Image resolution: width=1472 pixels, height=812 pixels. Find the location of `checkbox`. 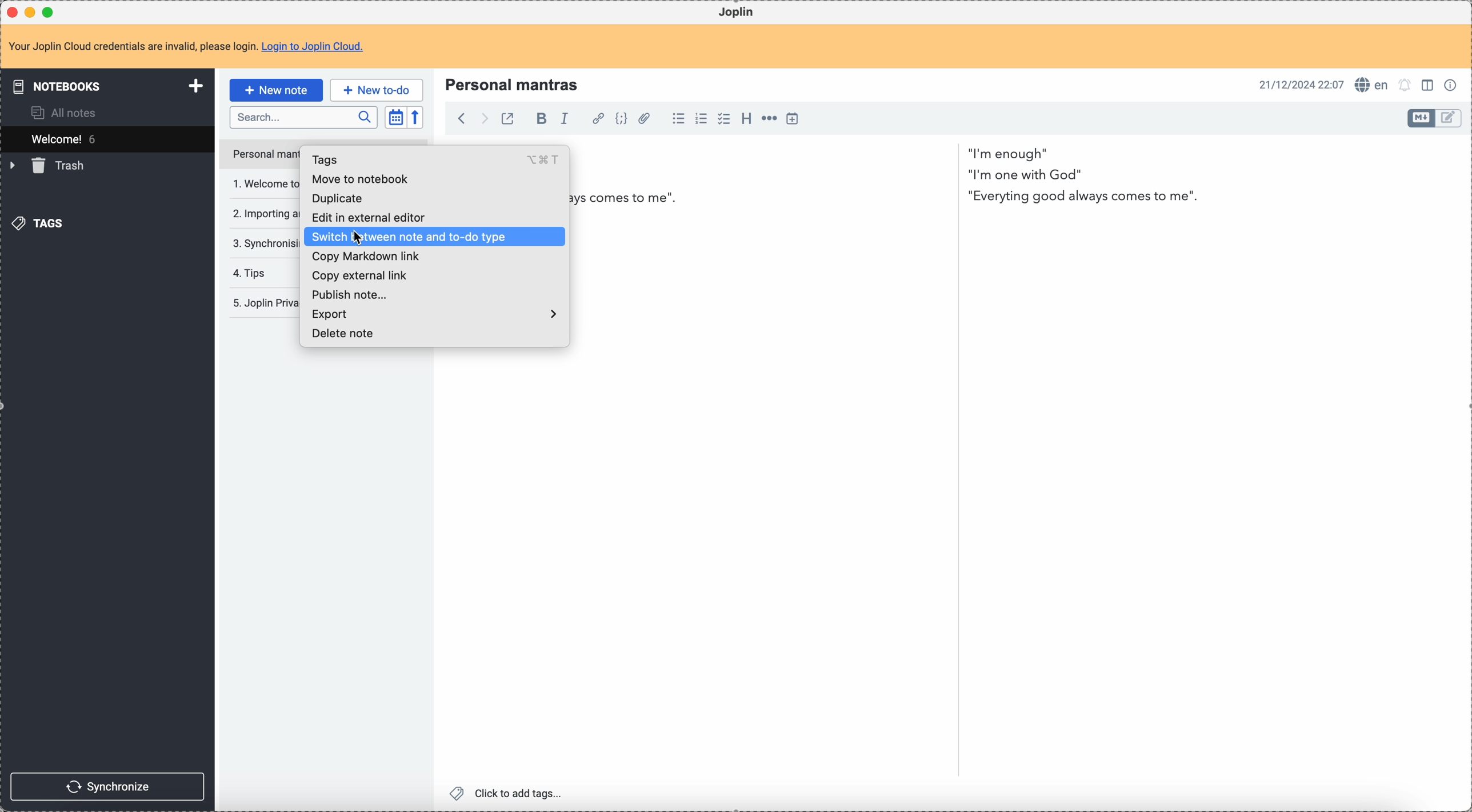

checkbox is located at coordinates (723, 119).